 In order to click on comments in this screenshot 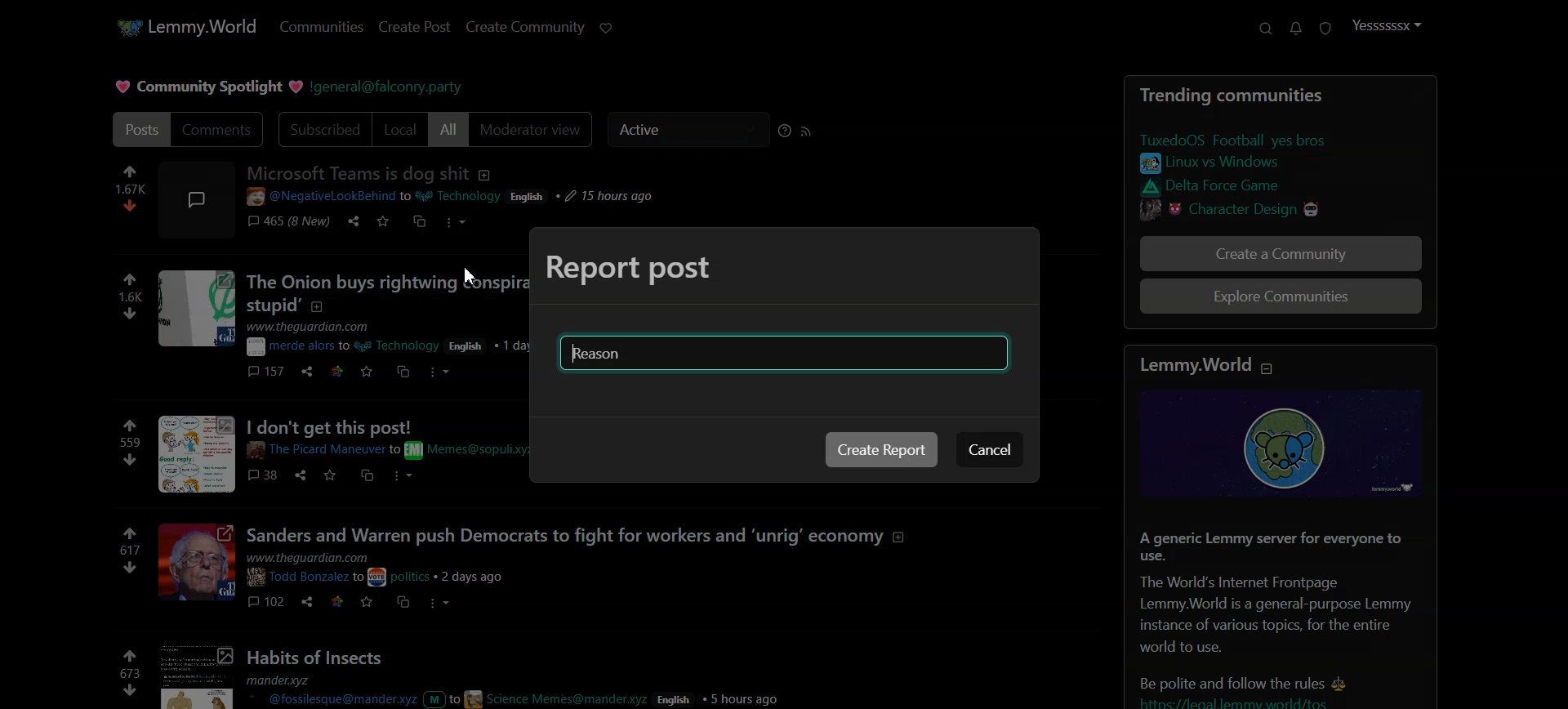, I will do `click(268, 372)`.